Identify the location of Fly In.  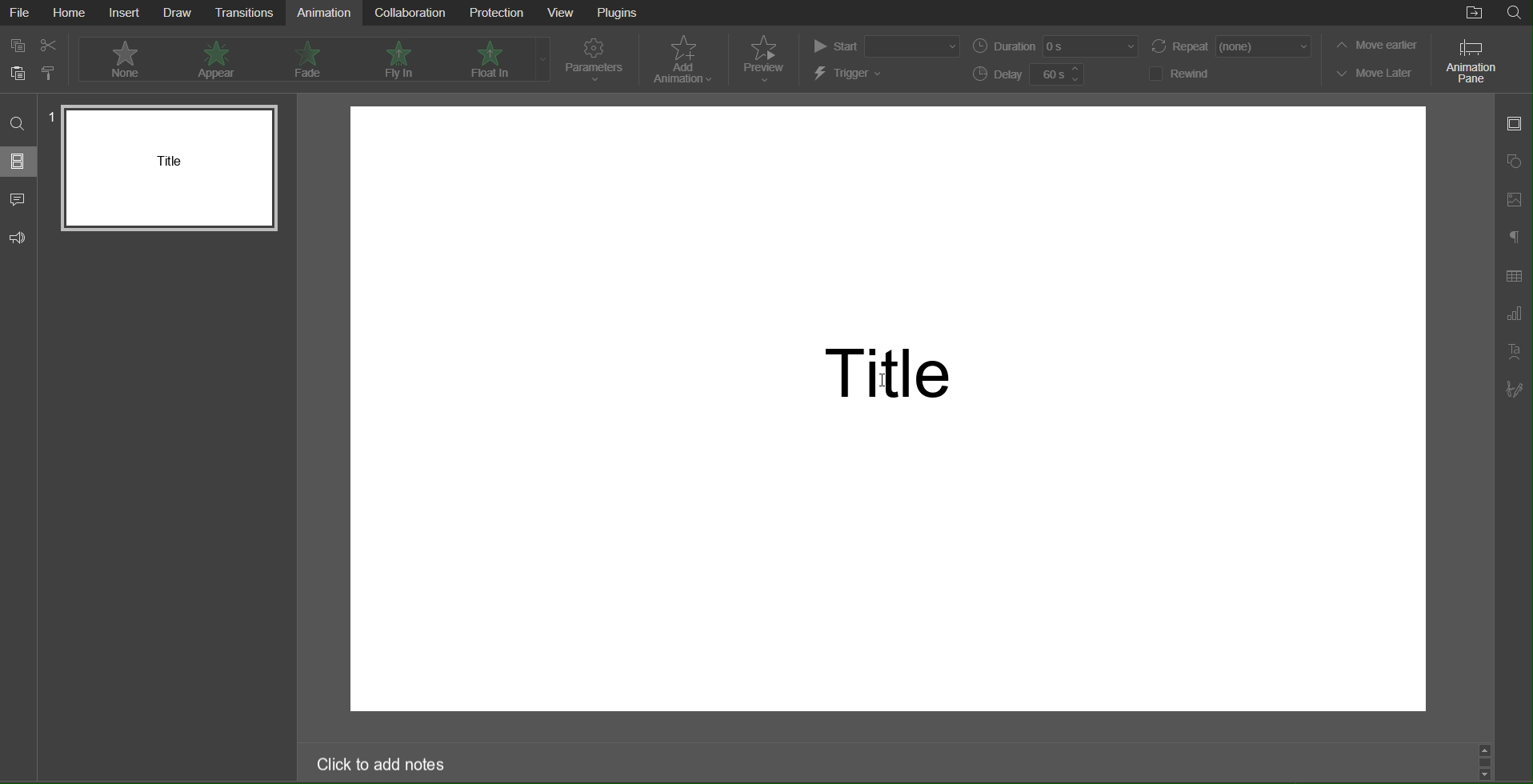
(395, 61).